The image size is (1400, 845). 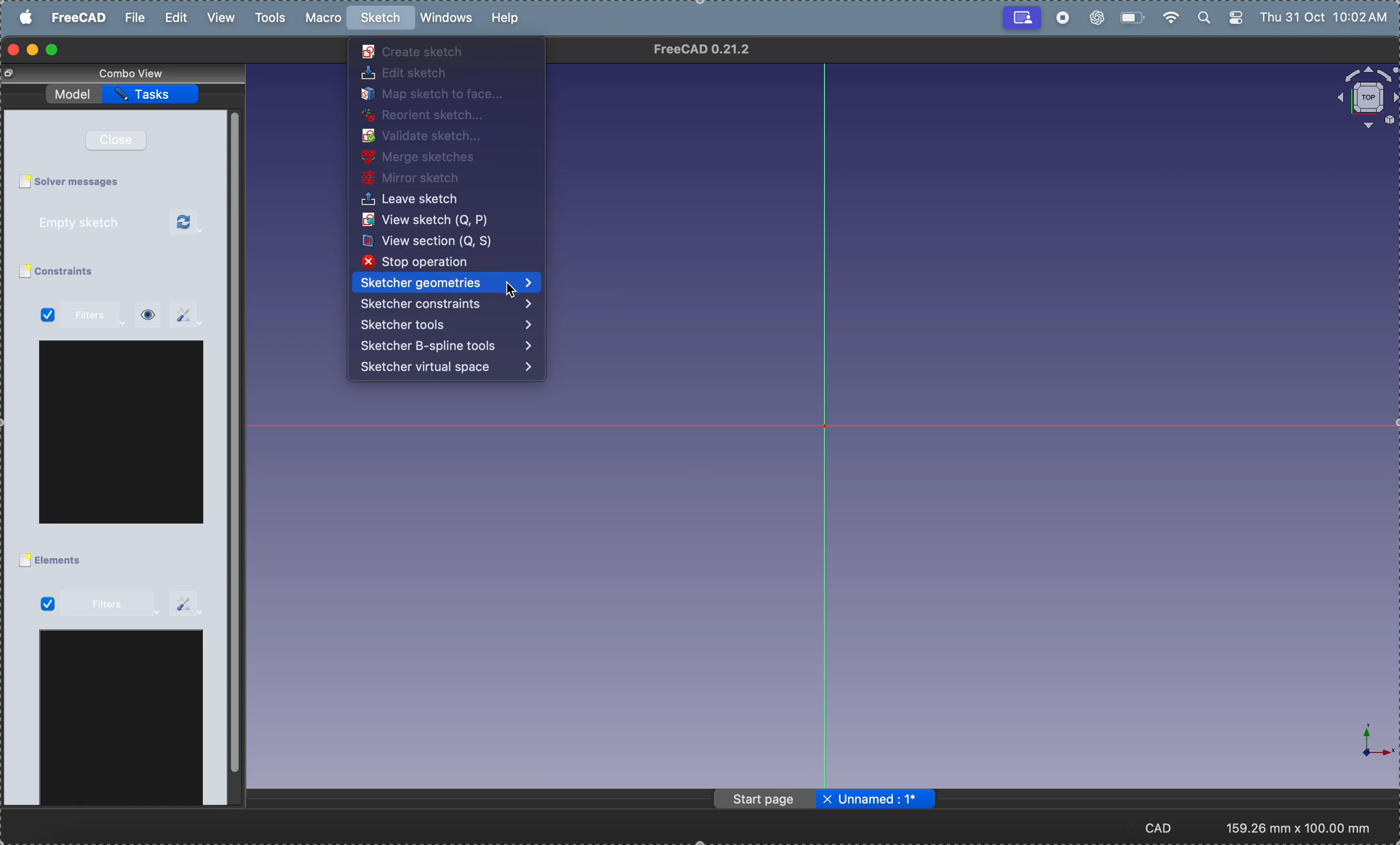 What do you see at coordinates (448, 282) in the screenshot?
I see `Sketcher geometries ` at bounding box center [448, 282].